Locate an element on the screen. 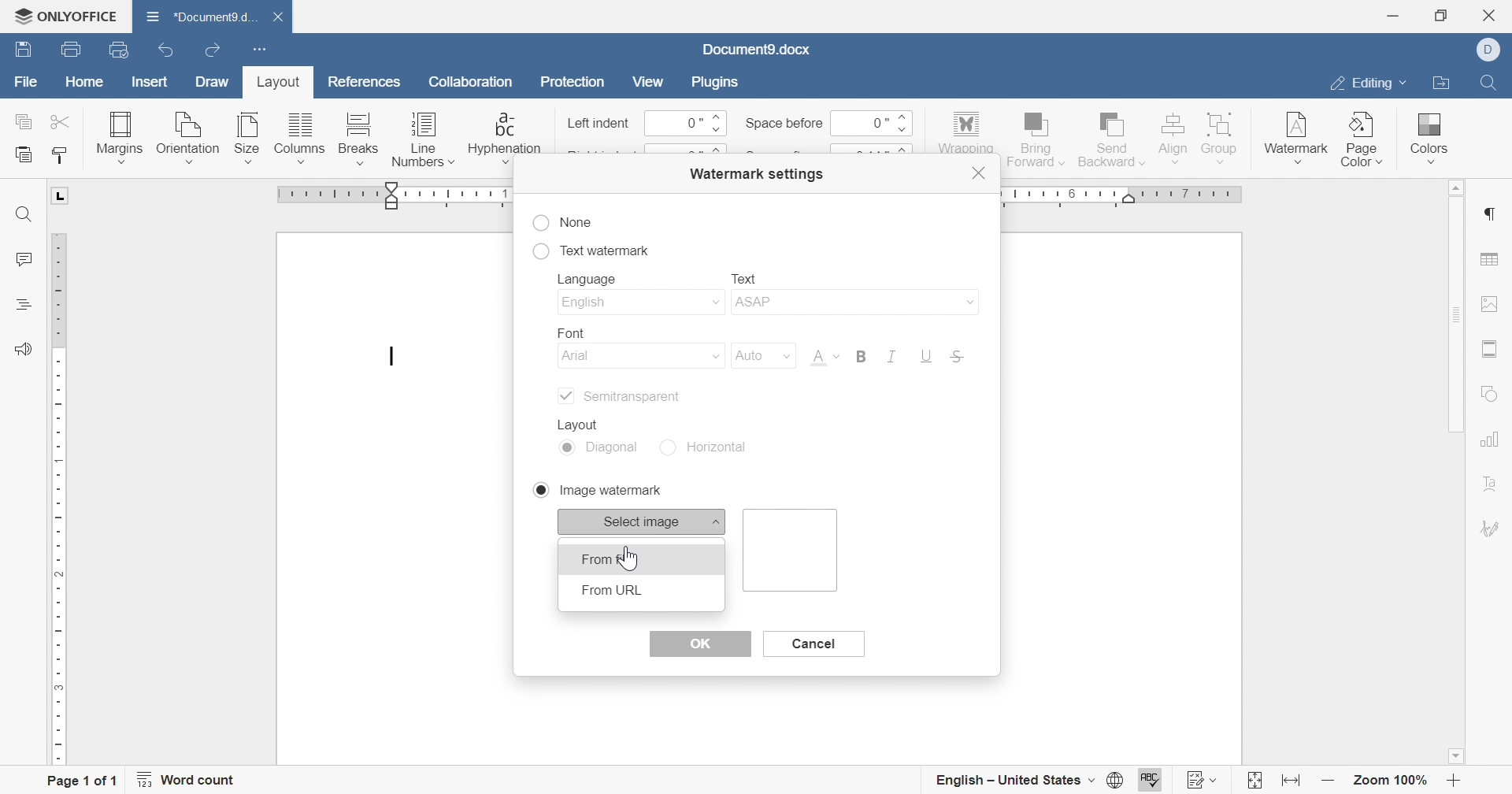  image settings is located at coordinates (1490, 303).